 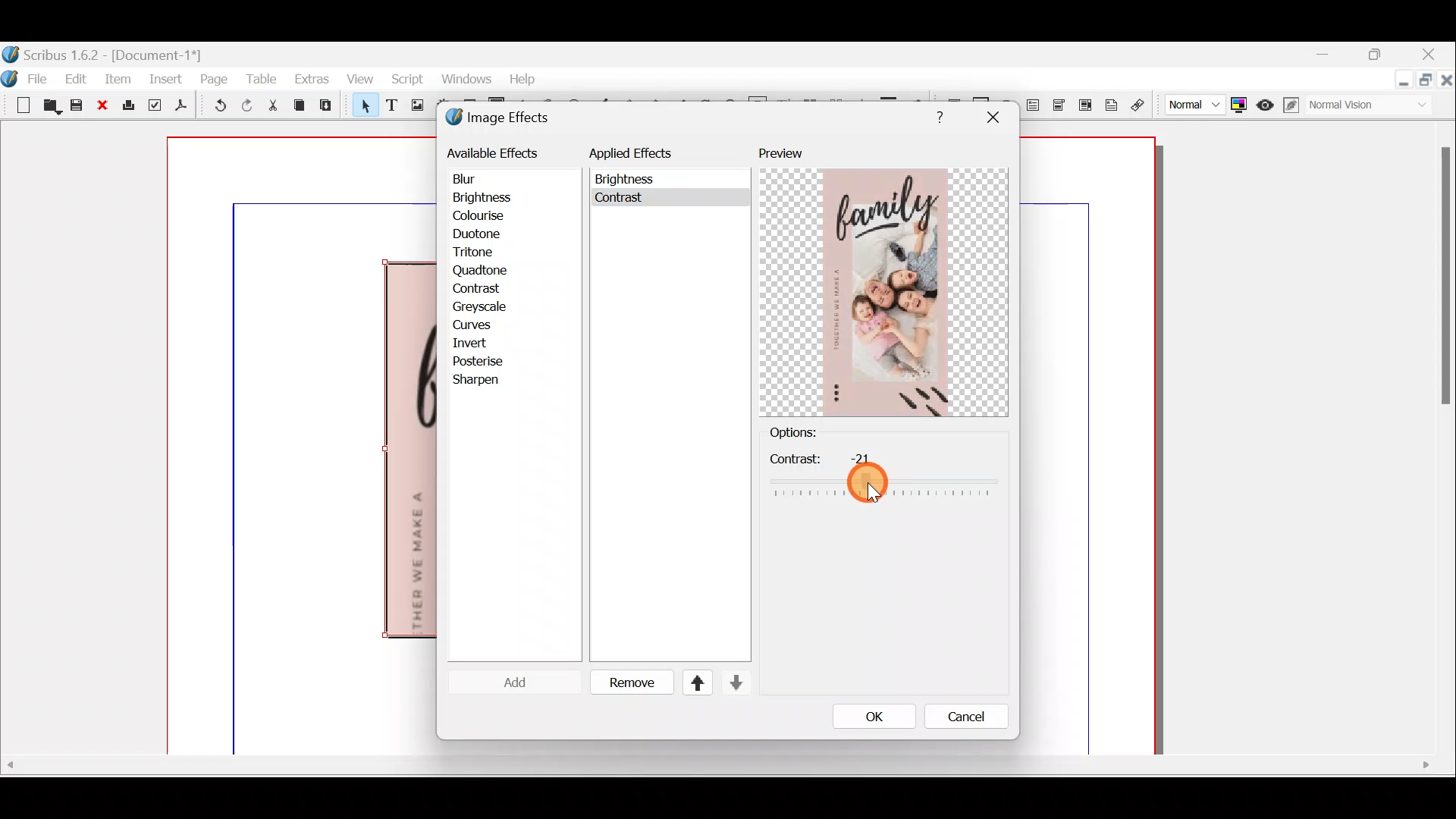 I want to click on Close, so click(x=1447, y=83).